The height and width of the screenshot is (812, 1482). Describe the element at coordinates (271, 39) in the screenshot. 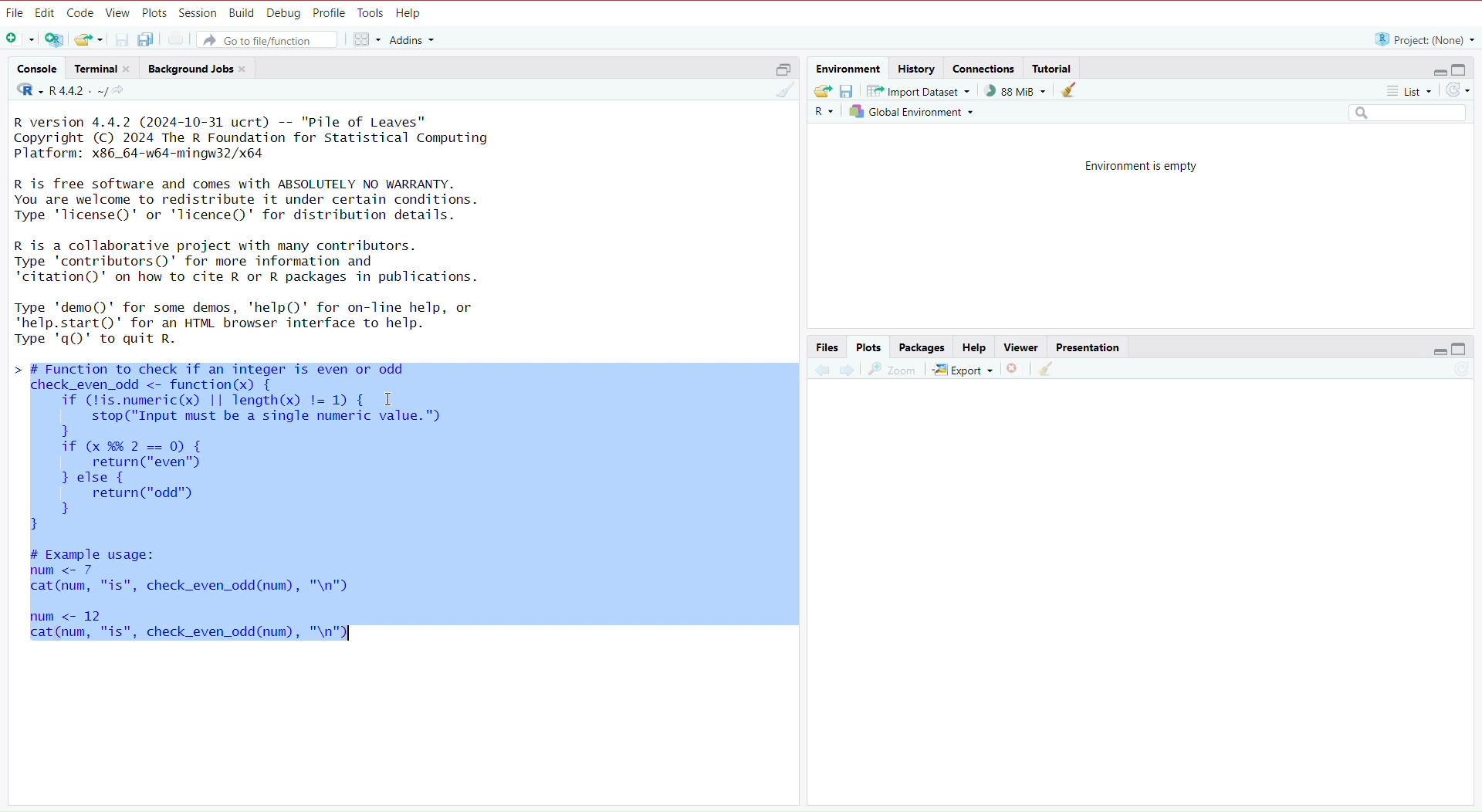

I see `go to file/function` at that location.